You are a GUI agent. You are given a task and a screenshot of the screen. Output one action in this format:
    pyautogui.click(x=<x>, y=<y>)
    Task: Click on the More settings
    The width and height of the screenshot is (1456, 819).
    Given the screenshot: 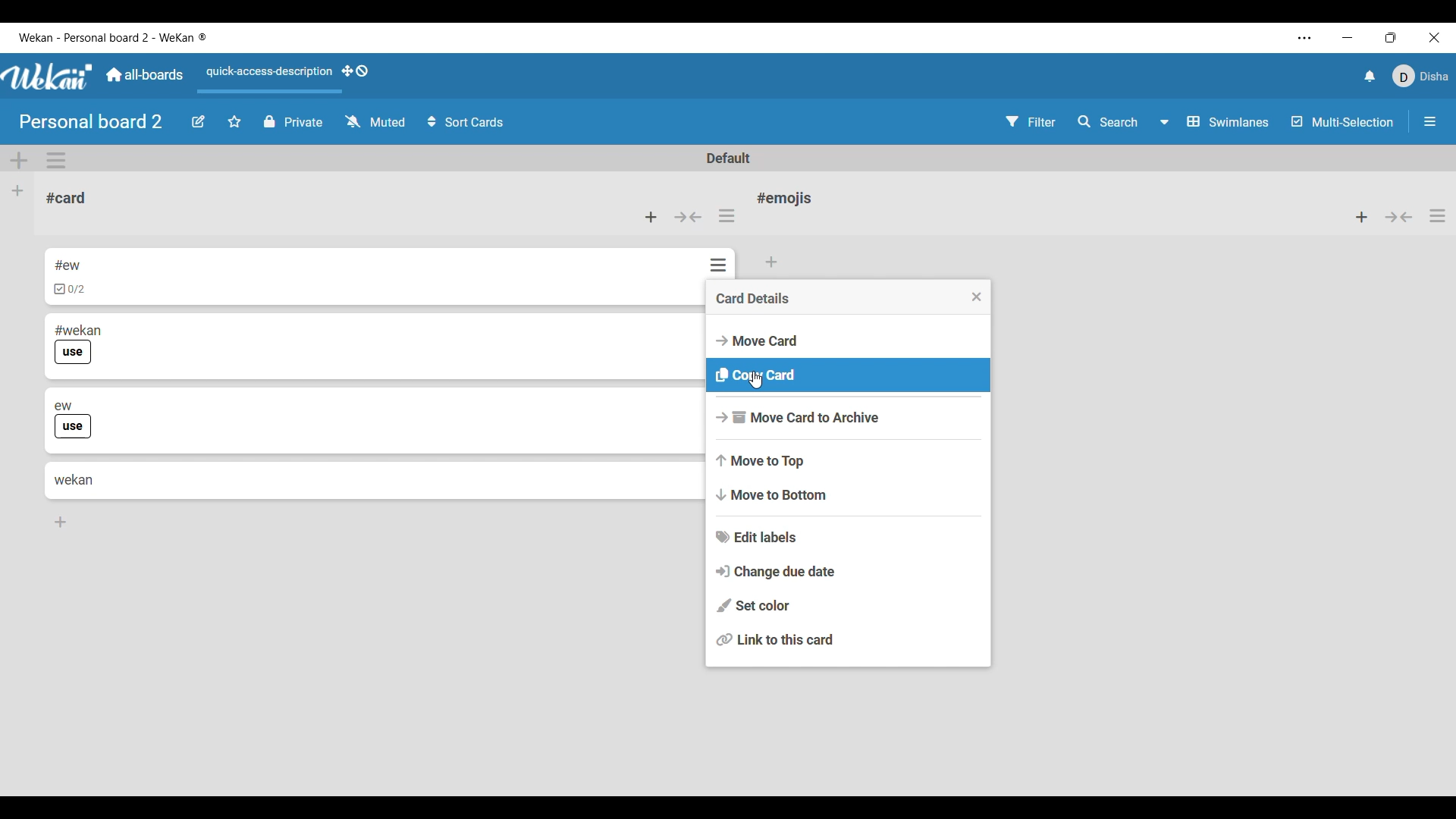 What is the action you would take?
    pyautogui.click(x=1304, y=38)
    